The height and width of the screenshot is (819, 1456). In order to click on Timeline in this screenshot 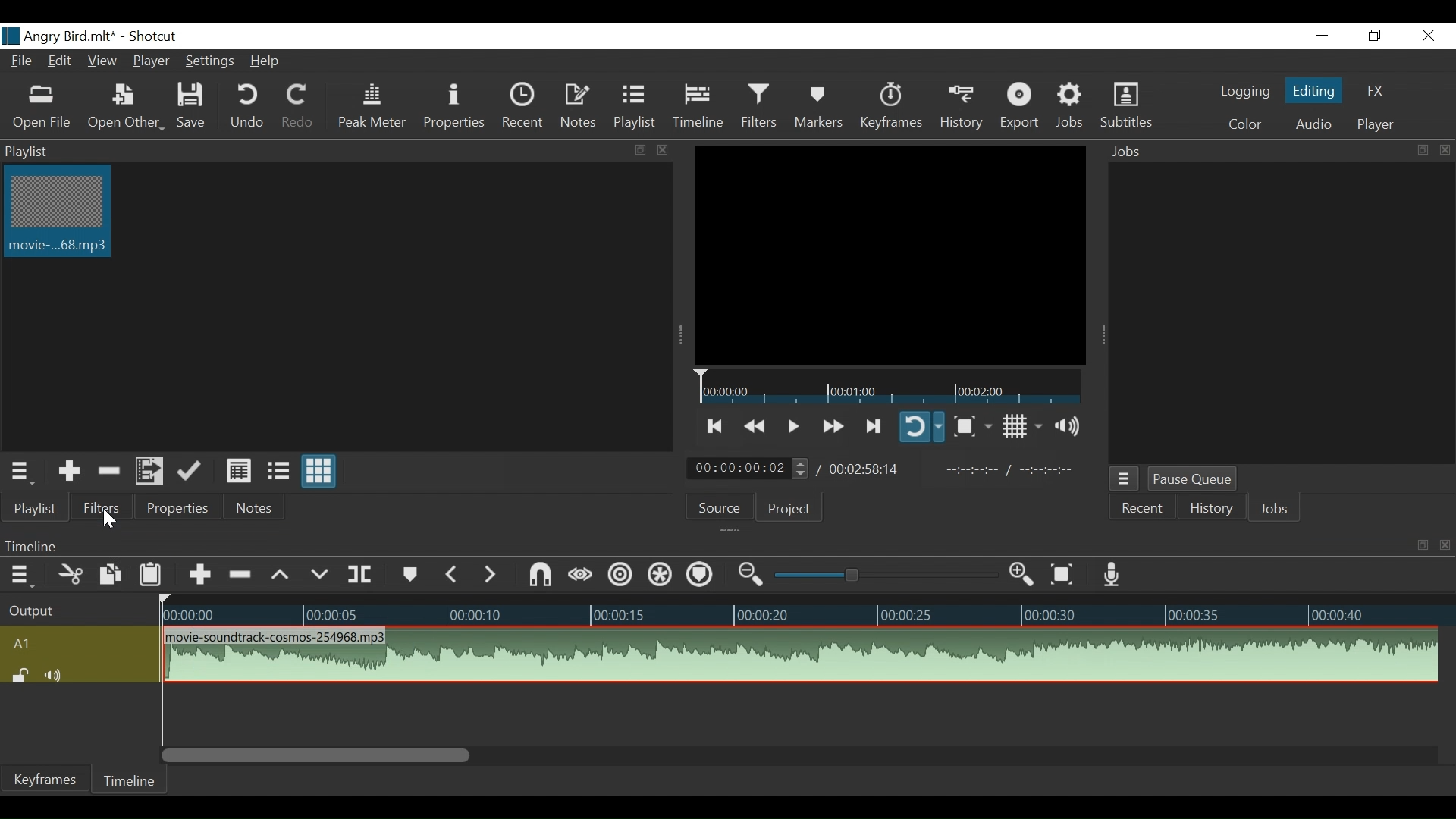, I will do `click(882, 384)`.